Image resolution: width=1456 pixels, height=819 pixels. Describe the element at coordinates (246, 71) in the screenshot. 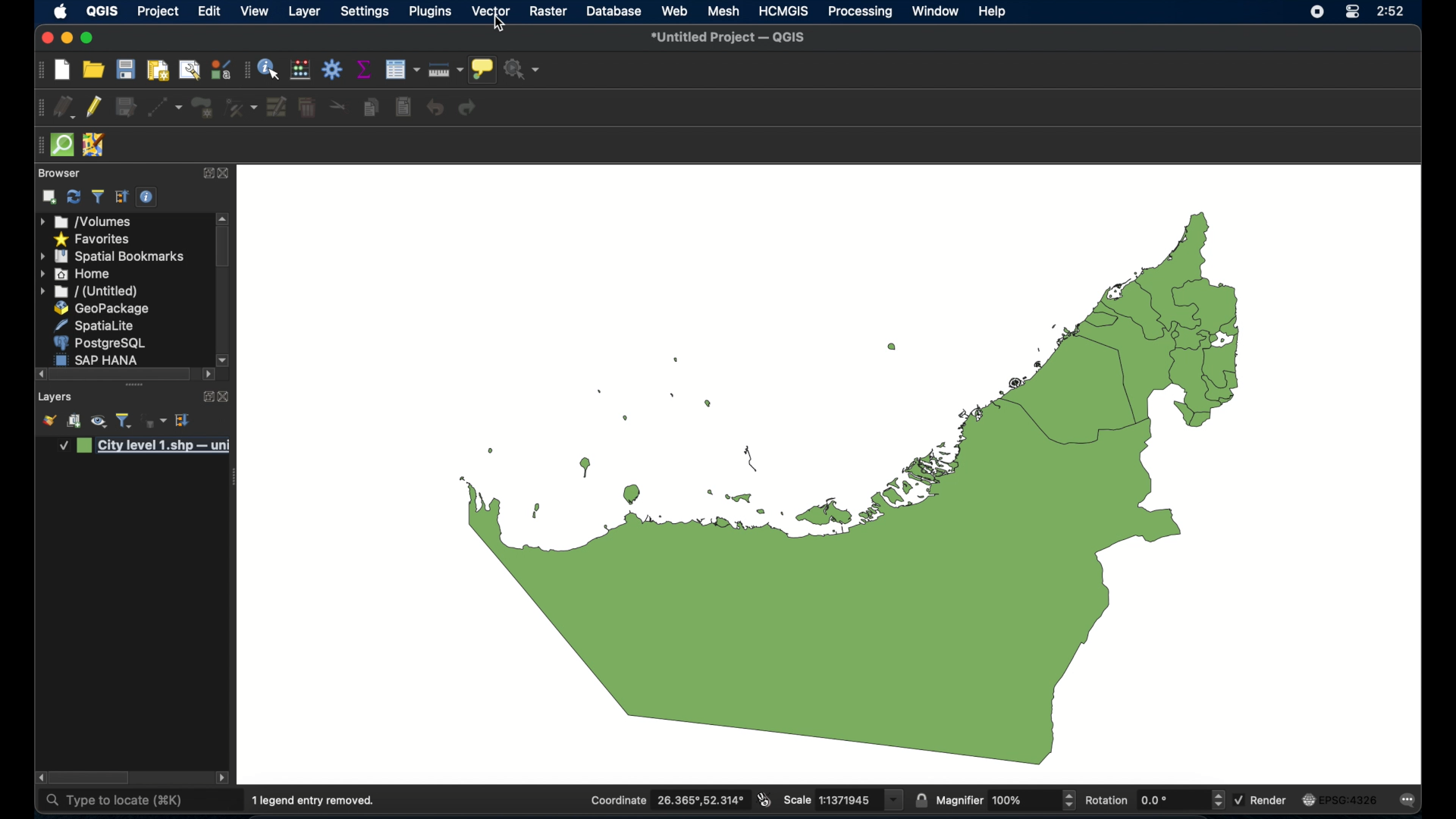

I see `attribute table` at that location.